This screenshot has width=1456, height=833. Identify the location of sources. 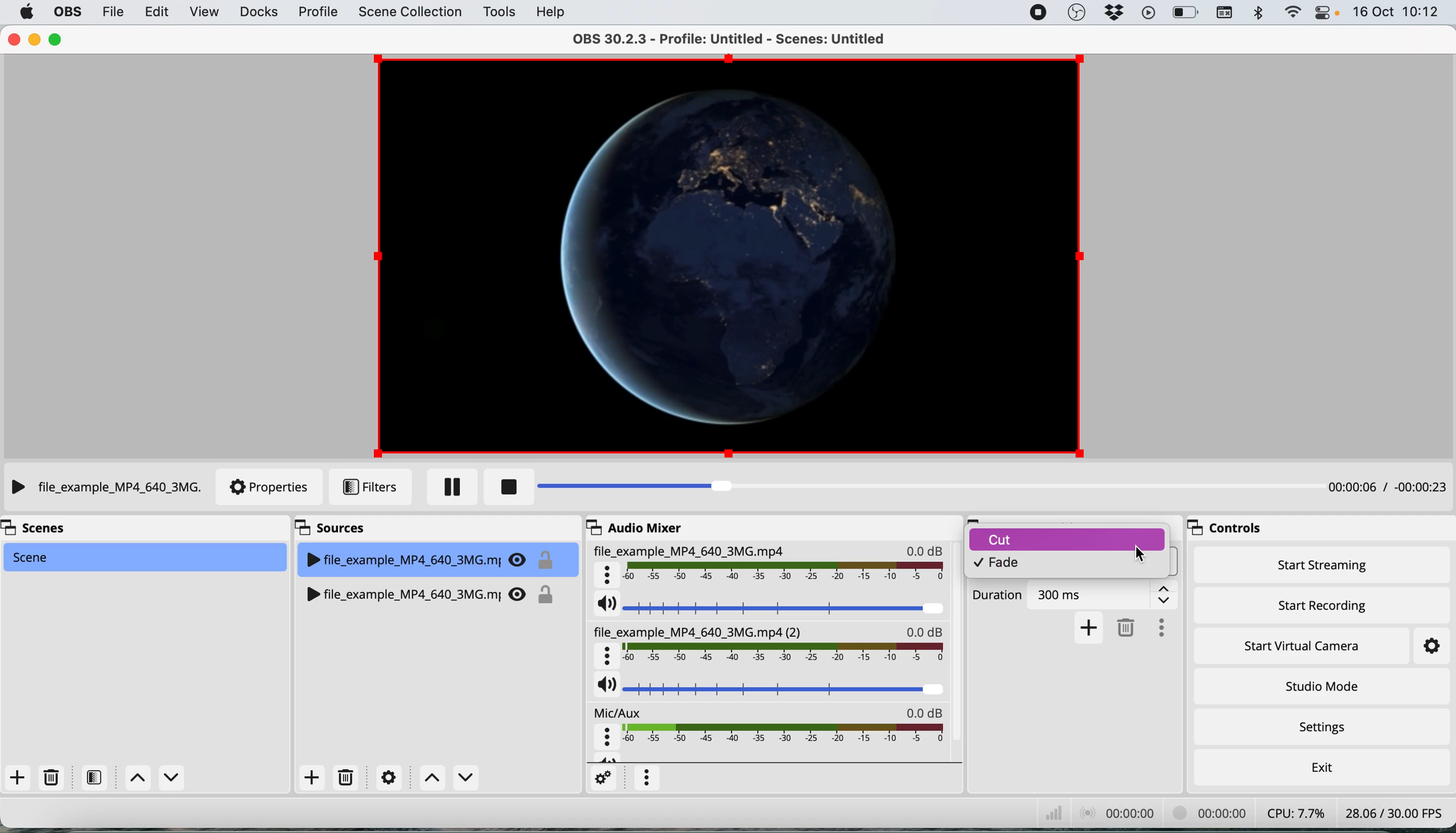
(337, 526).